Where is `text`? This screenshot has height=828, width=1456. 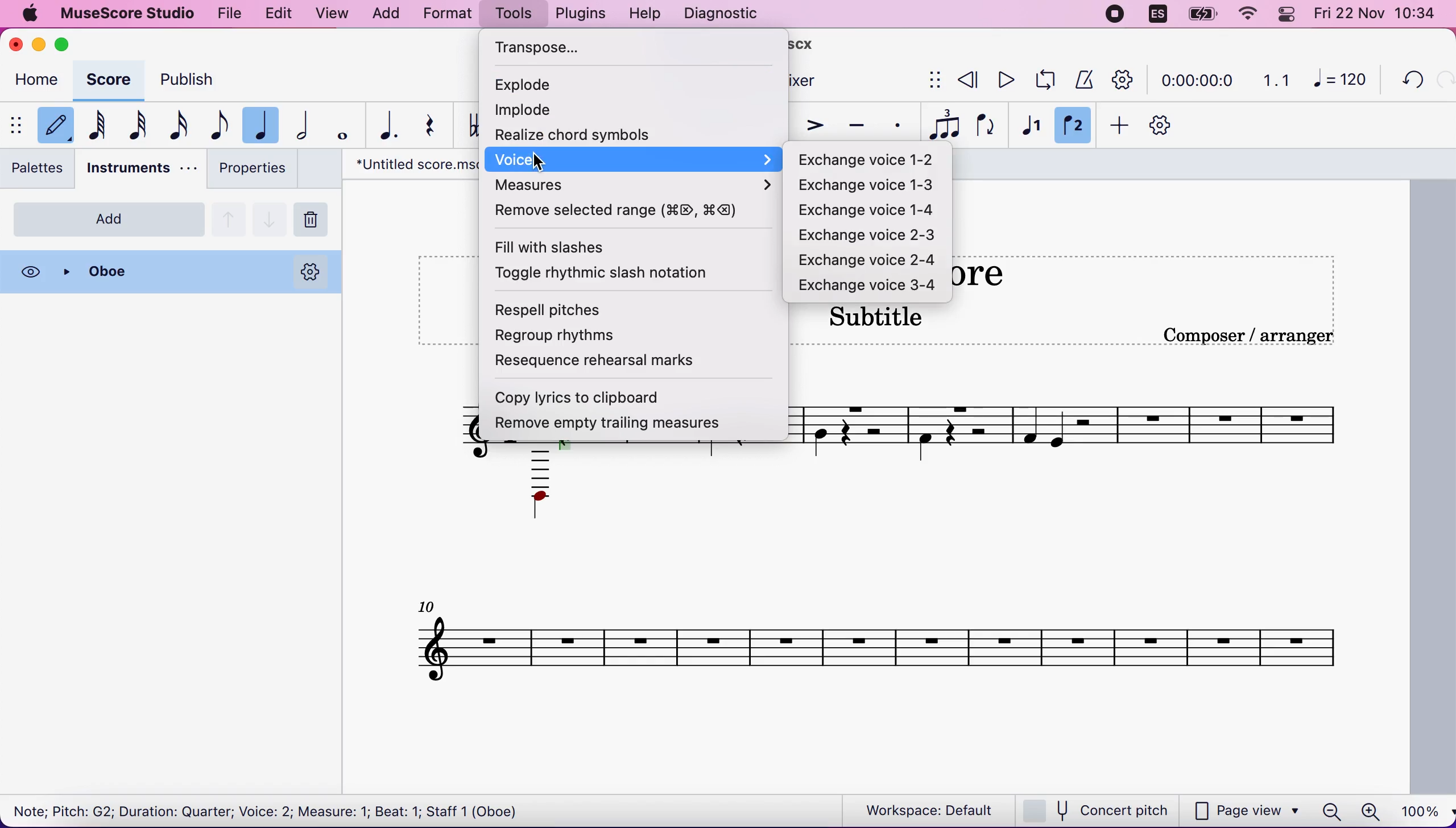
text is located at coordinates (1242, 335).